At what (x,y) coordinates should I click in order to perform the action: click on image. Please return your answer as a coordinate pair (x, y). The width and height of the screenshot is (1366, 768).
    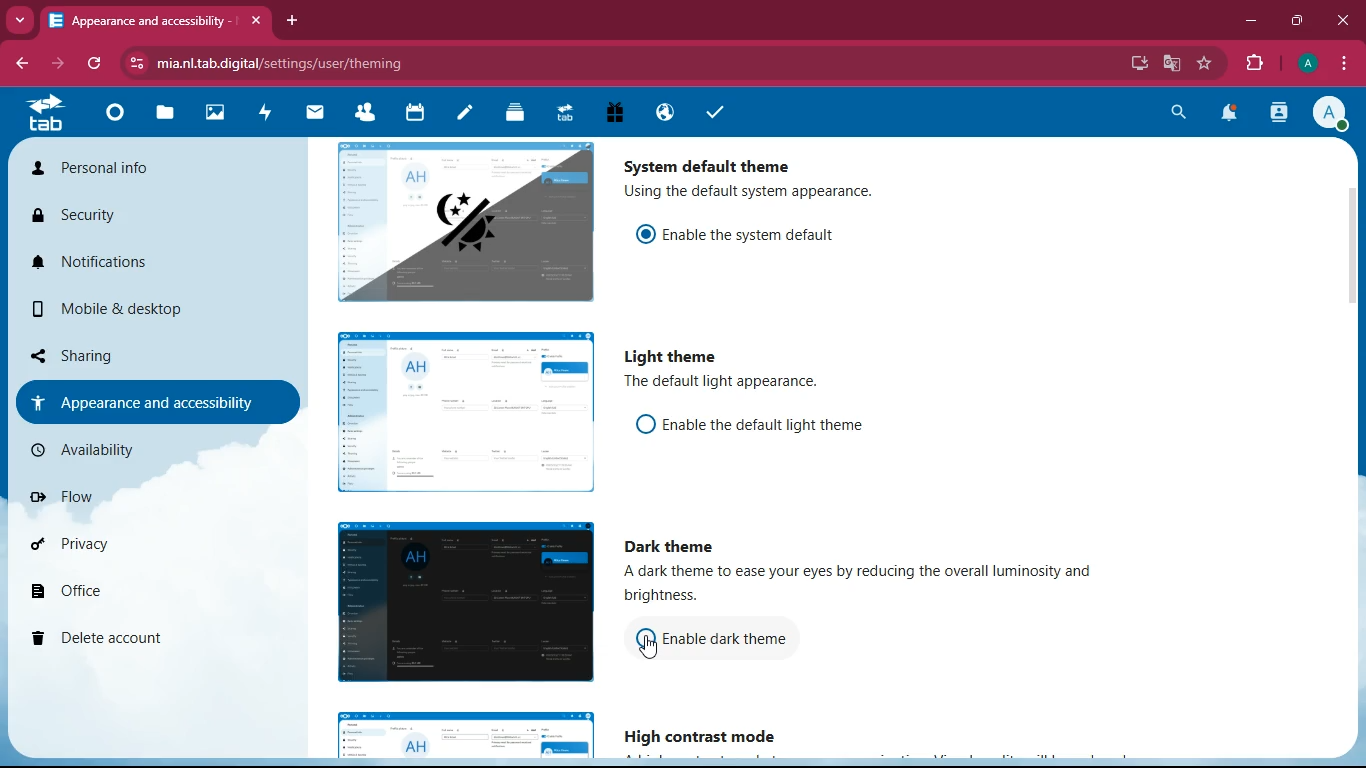
    Looking at the image, I should click on (468, 736).